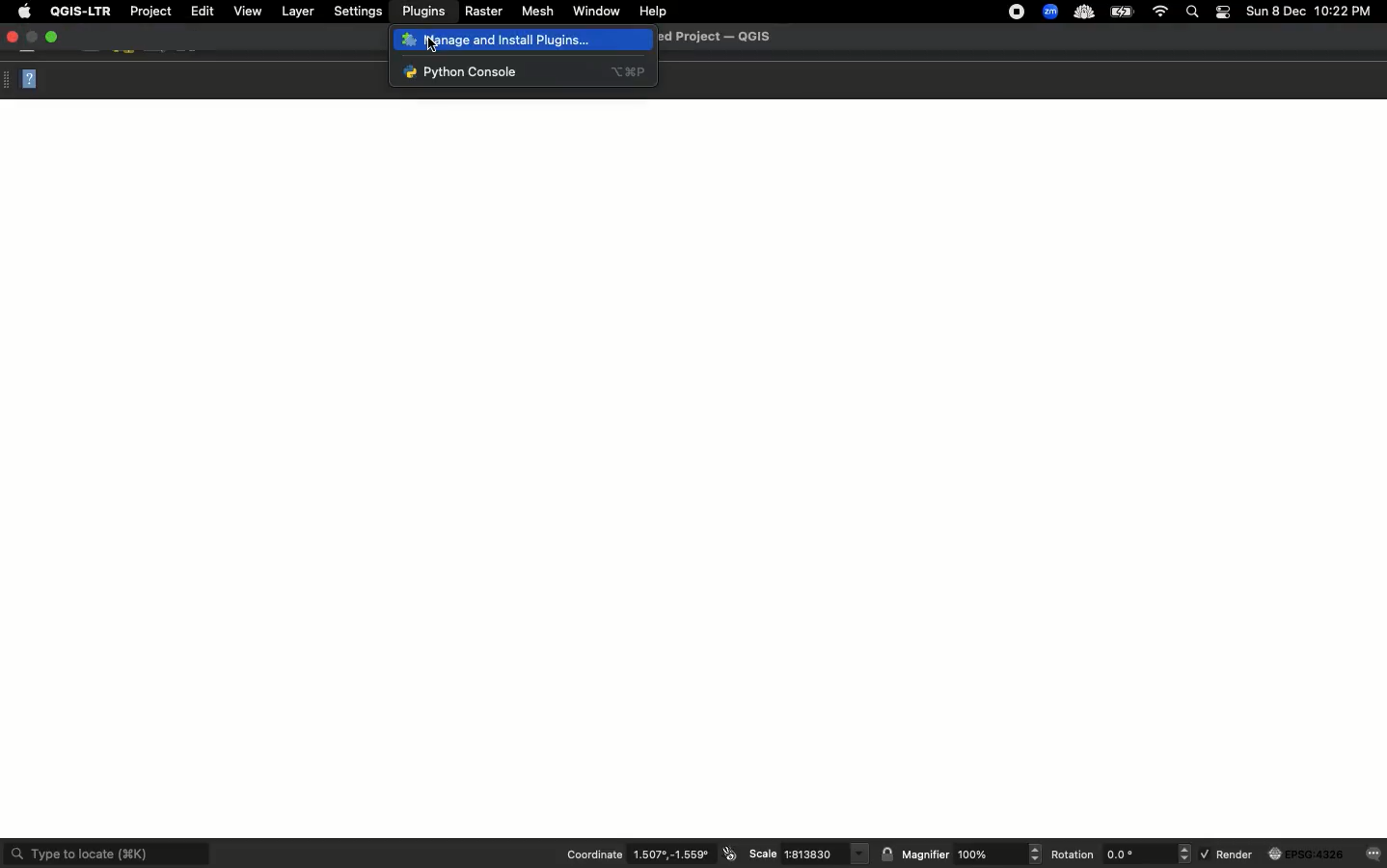 This screenshot has width=1387, height=868. Describe the element at coordinates (502, 41) in the screenshot. I see `Manage and install plugins` at that location.